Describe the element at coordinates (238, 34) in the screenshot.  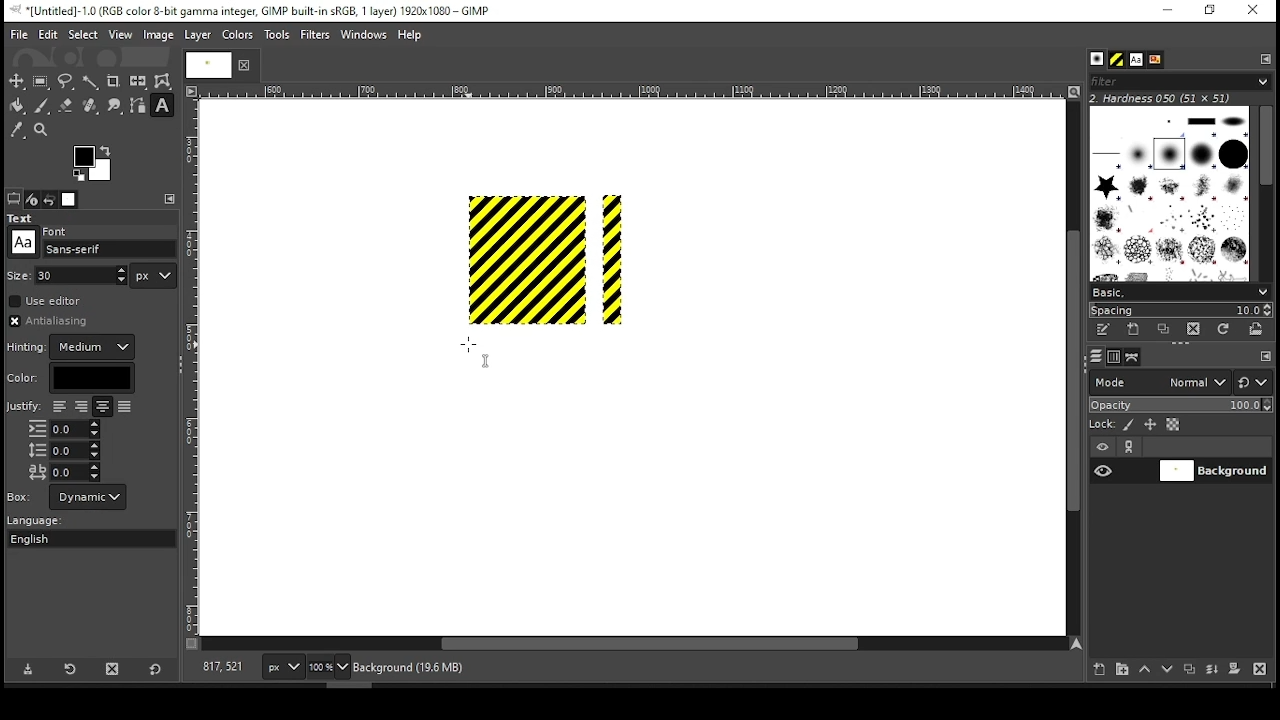
I see `color` at that location.